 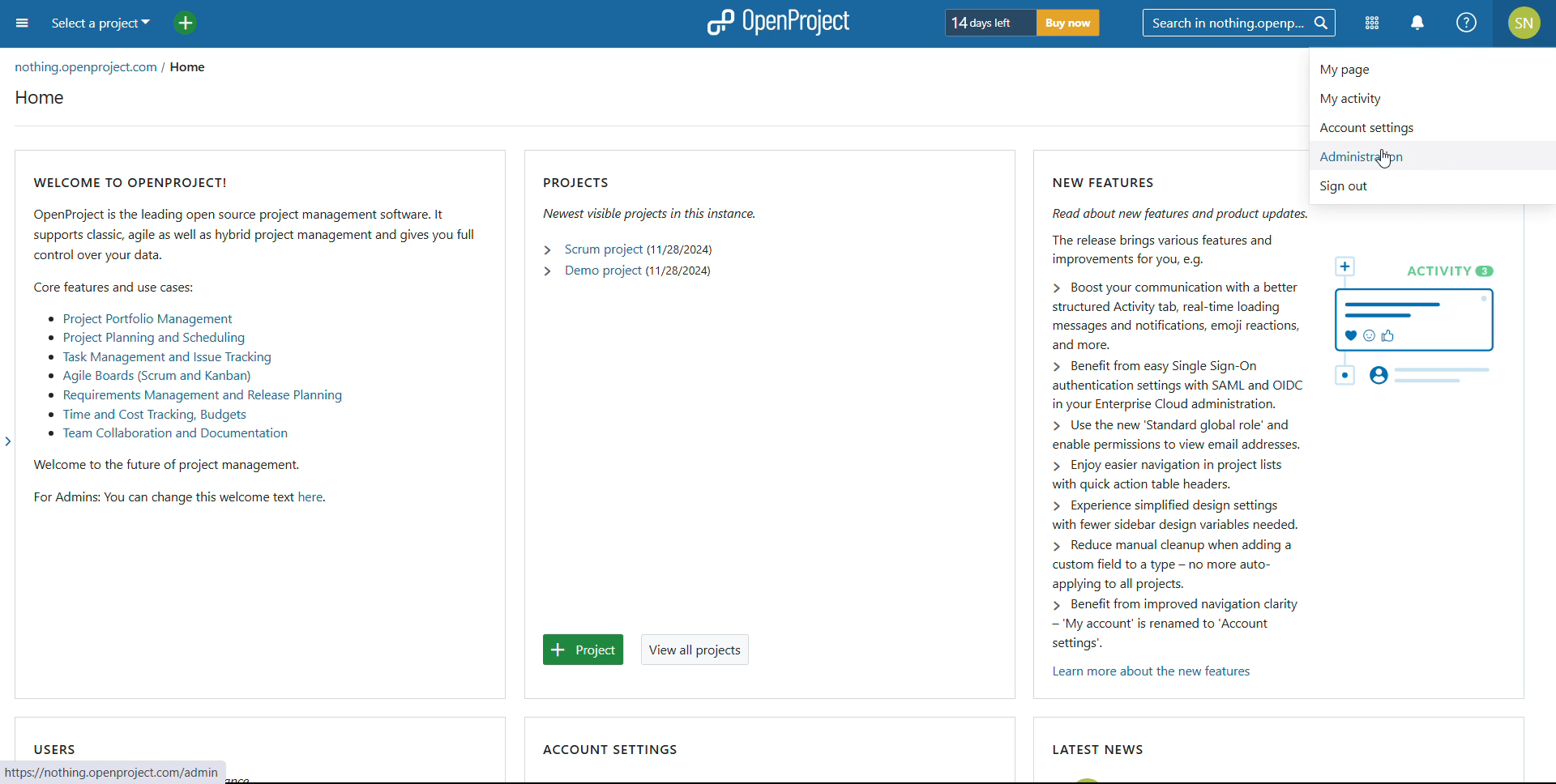 What do you see at coordinates (1096, 749) in the screenshot?
I see `latest news` at bounding box center [1096, 749].